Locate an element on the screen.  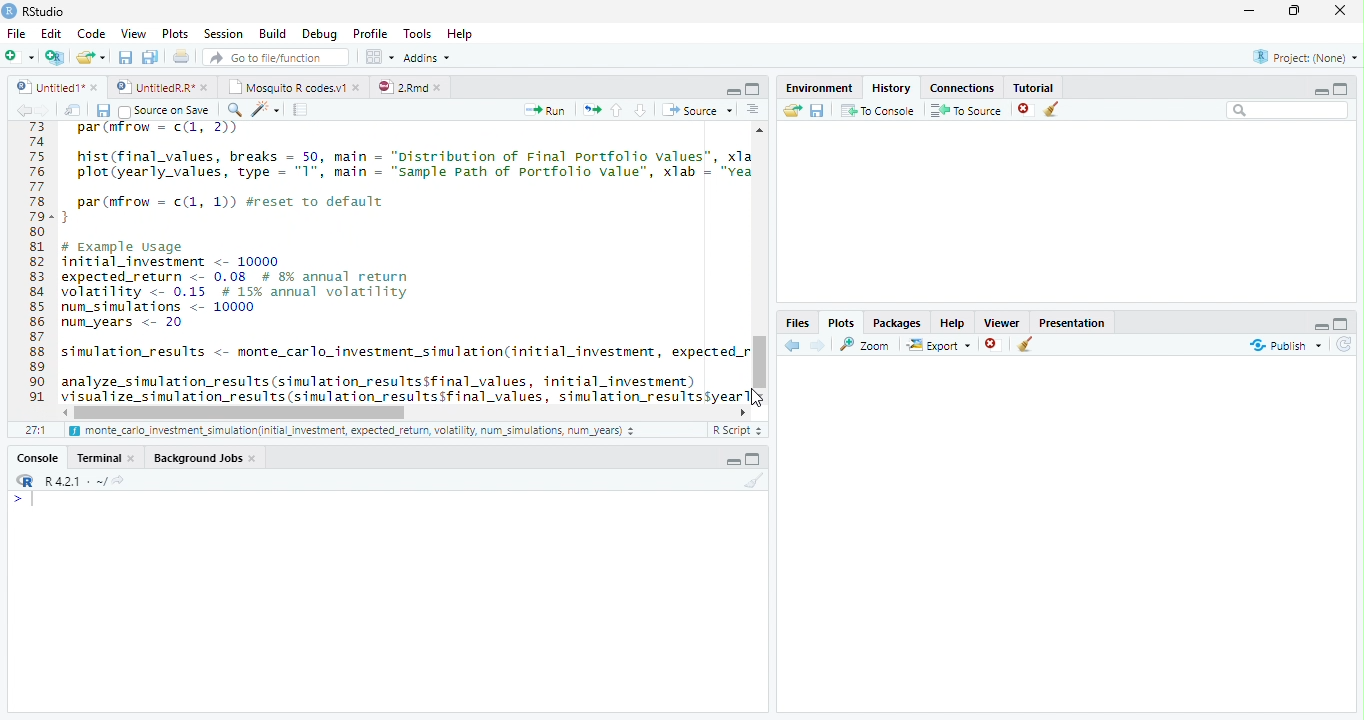
Profile is located at coordinates (369, 33).